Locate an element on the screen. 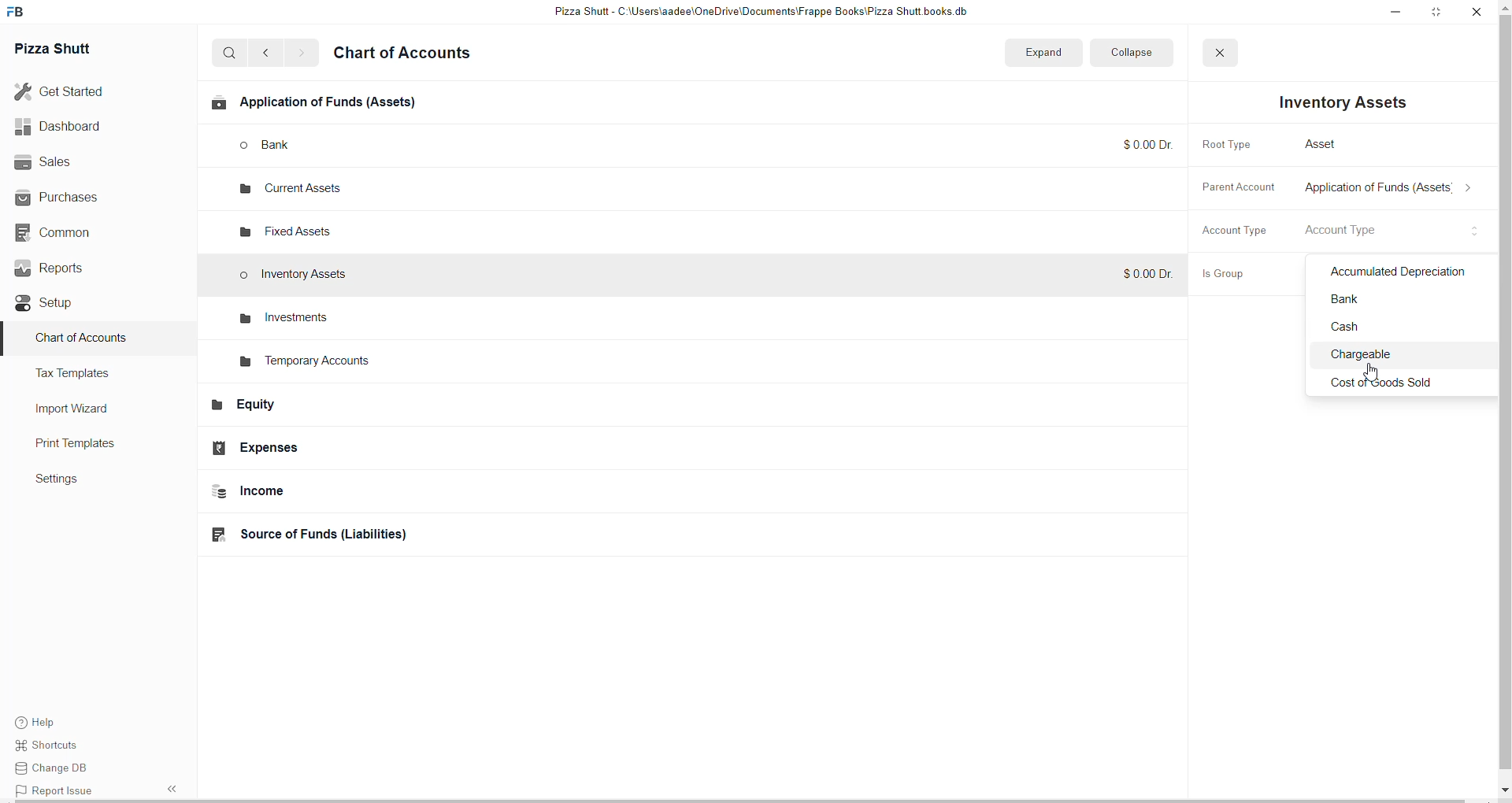 The image size is (1512, 803). Pizza Shutt - C:\Users\aadee\OneDrive\Documents|\Frappe Books\Pizza Shutt books.db is located at coordinates (767, 13).